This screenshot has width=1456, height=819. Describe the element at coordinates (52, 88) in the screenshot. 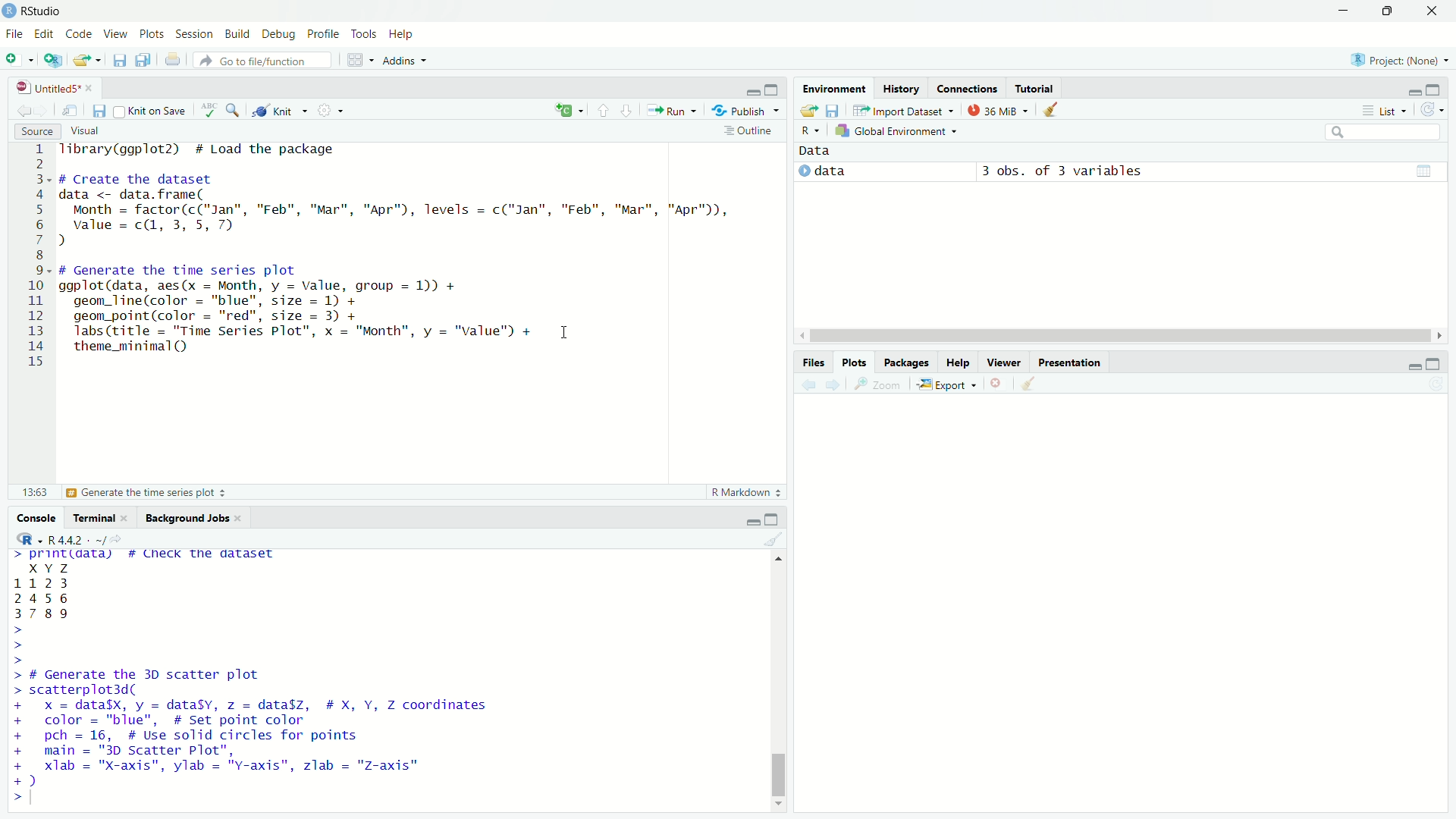

I see `untitled5` at that location.